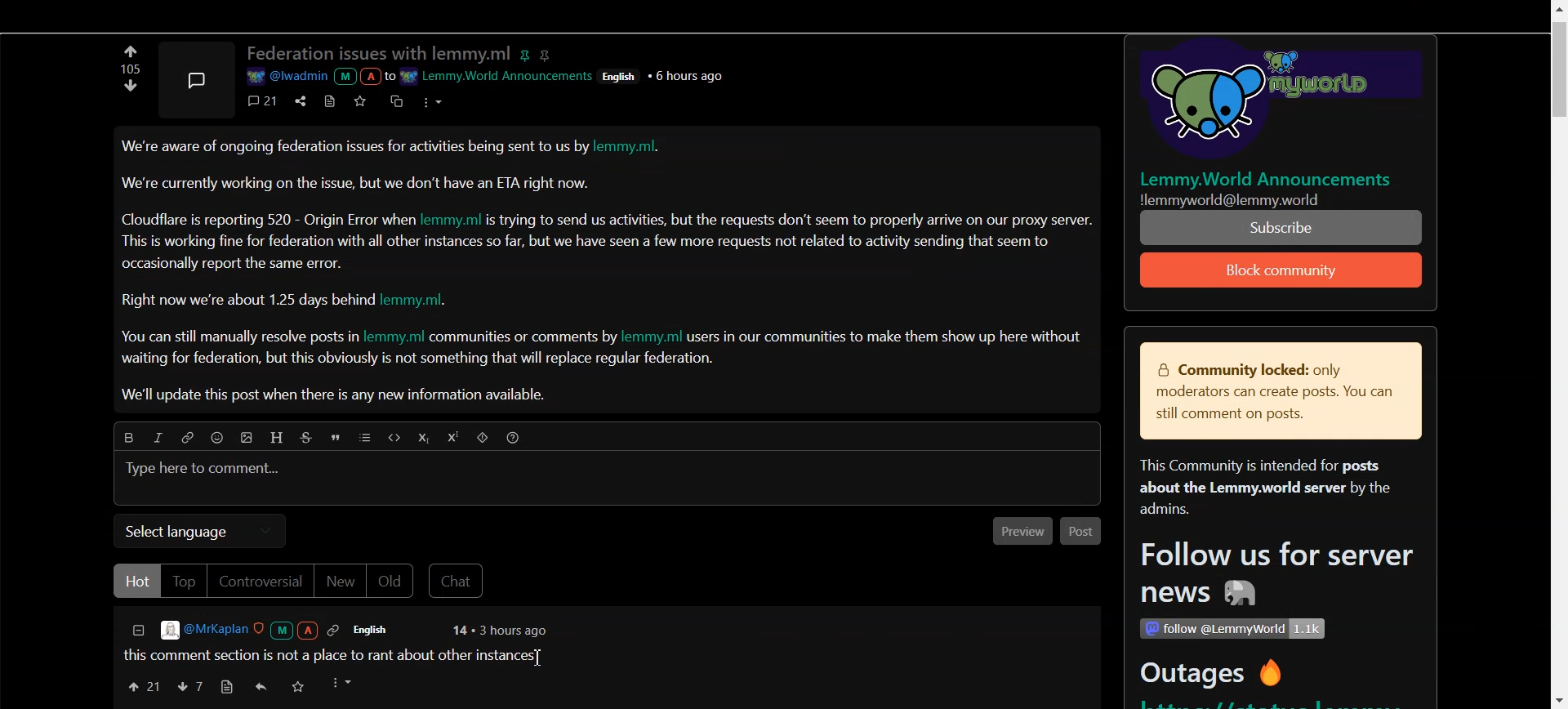 This screenshot has width=1568, height=709. What do you see at coordinates (1557, 354) in the screenshot?
I see `Scroll Bar` at bounding box center [1557, 354].